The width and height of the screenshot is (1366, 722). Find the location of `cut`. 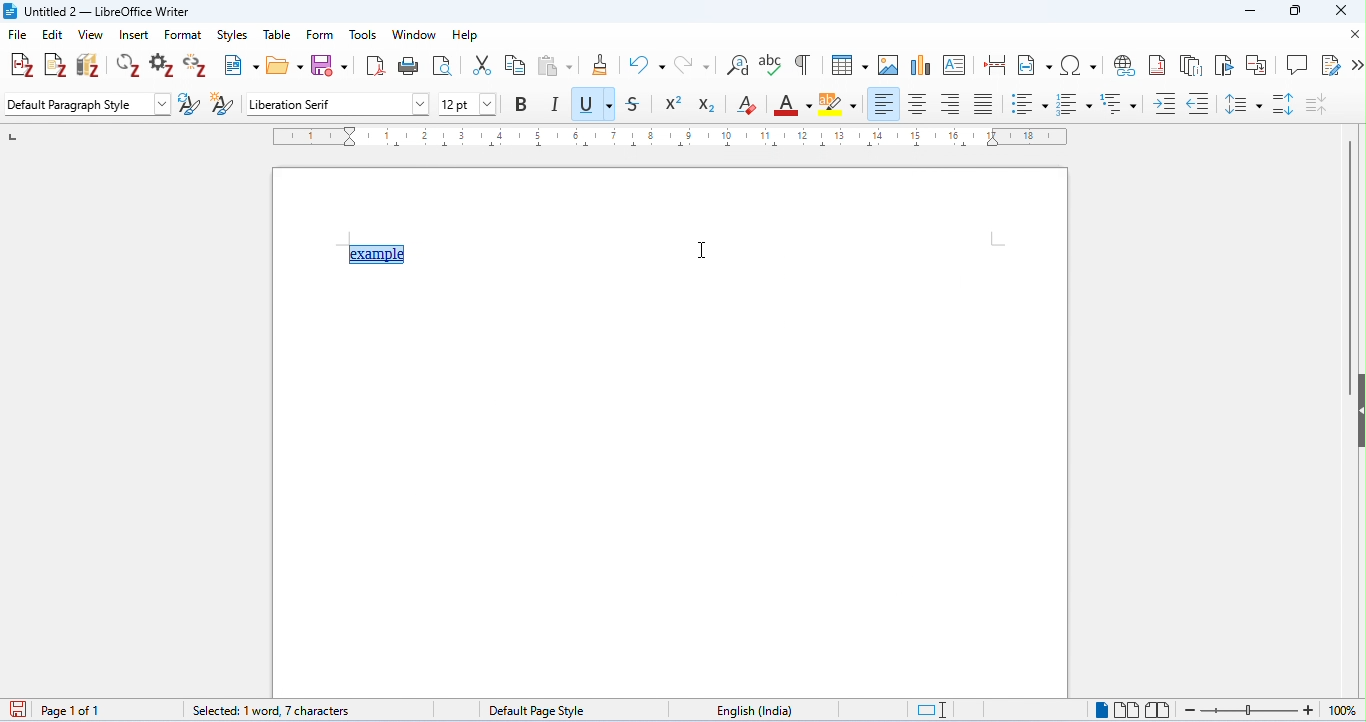

cut is located at coordinates (482, 64).